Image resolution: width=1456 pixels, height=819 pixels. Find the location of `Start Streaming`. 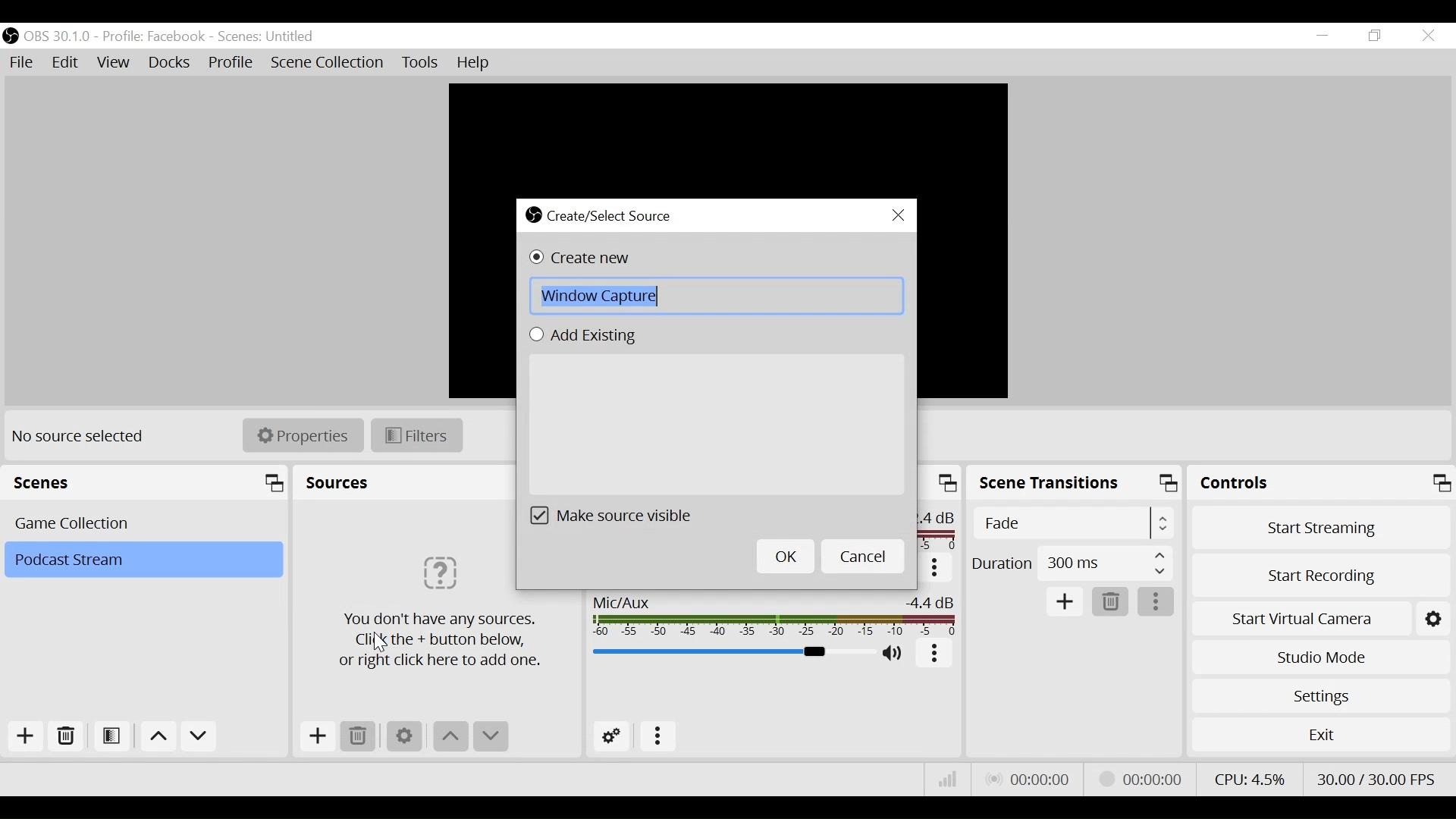

Start Streaming is located at coordinates (1319, 526).